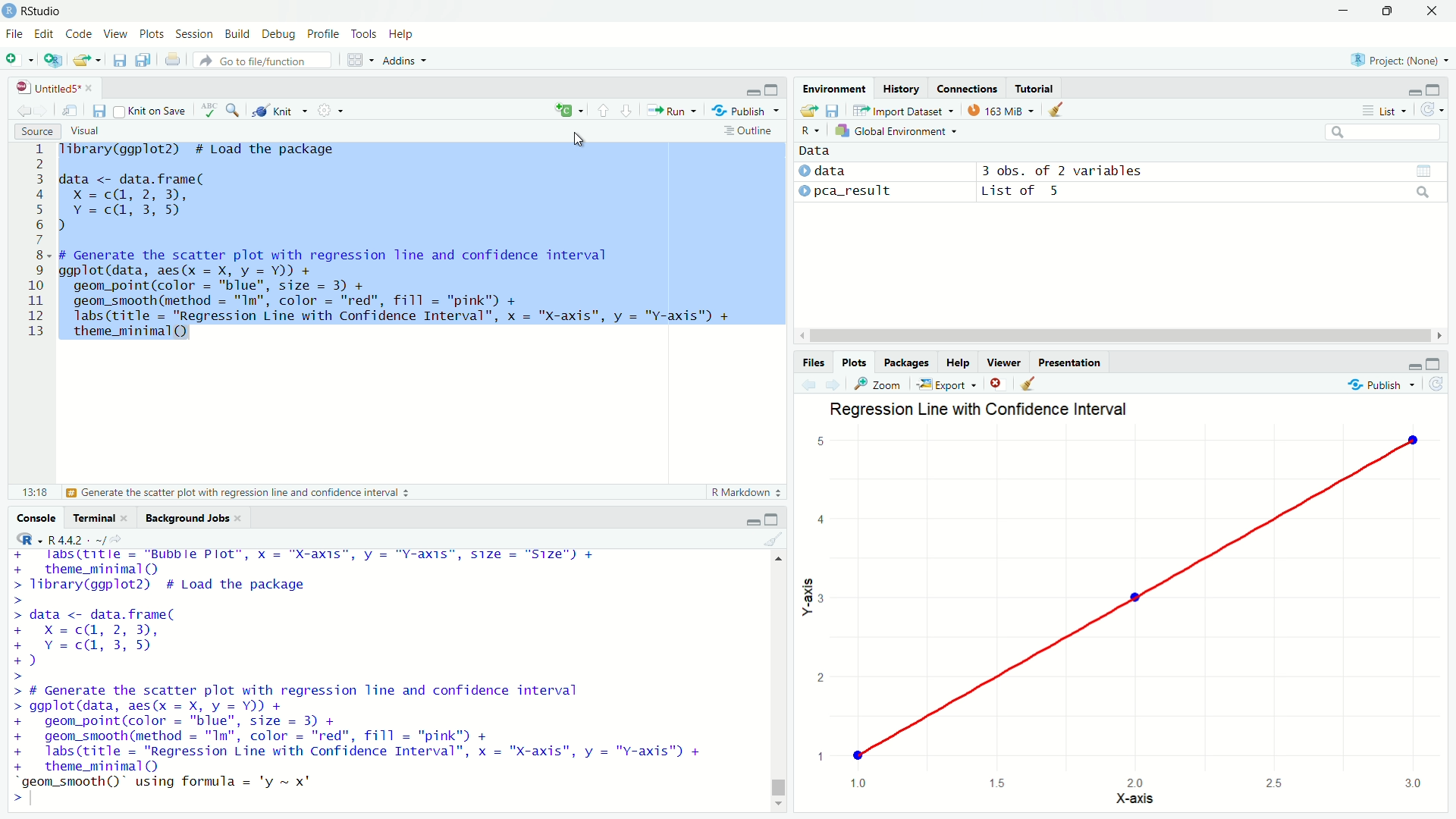  What do you see at coordinates (1057, 110) in the screenshot?
I see `Clear objects from workspace` at bounding box center [1057, 110].